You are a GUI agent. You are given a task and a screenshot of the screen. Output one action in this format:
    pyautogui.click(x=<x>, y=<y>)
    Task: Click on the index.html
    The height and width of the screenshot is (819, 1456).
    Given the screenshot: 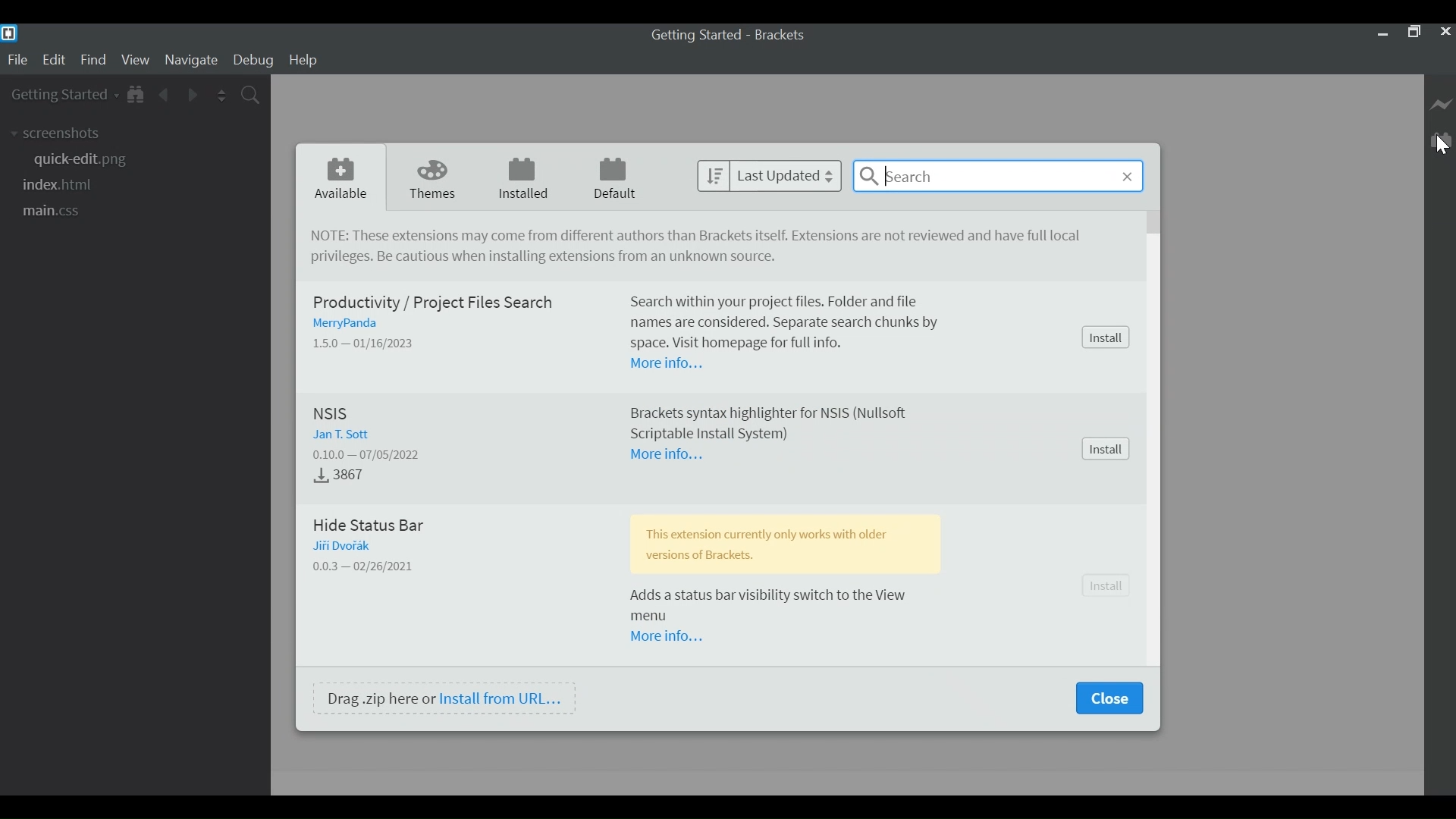 What is the action you would take?
    pyautogui.click(x=60, y=184)
    